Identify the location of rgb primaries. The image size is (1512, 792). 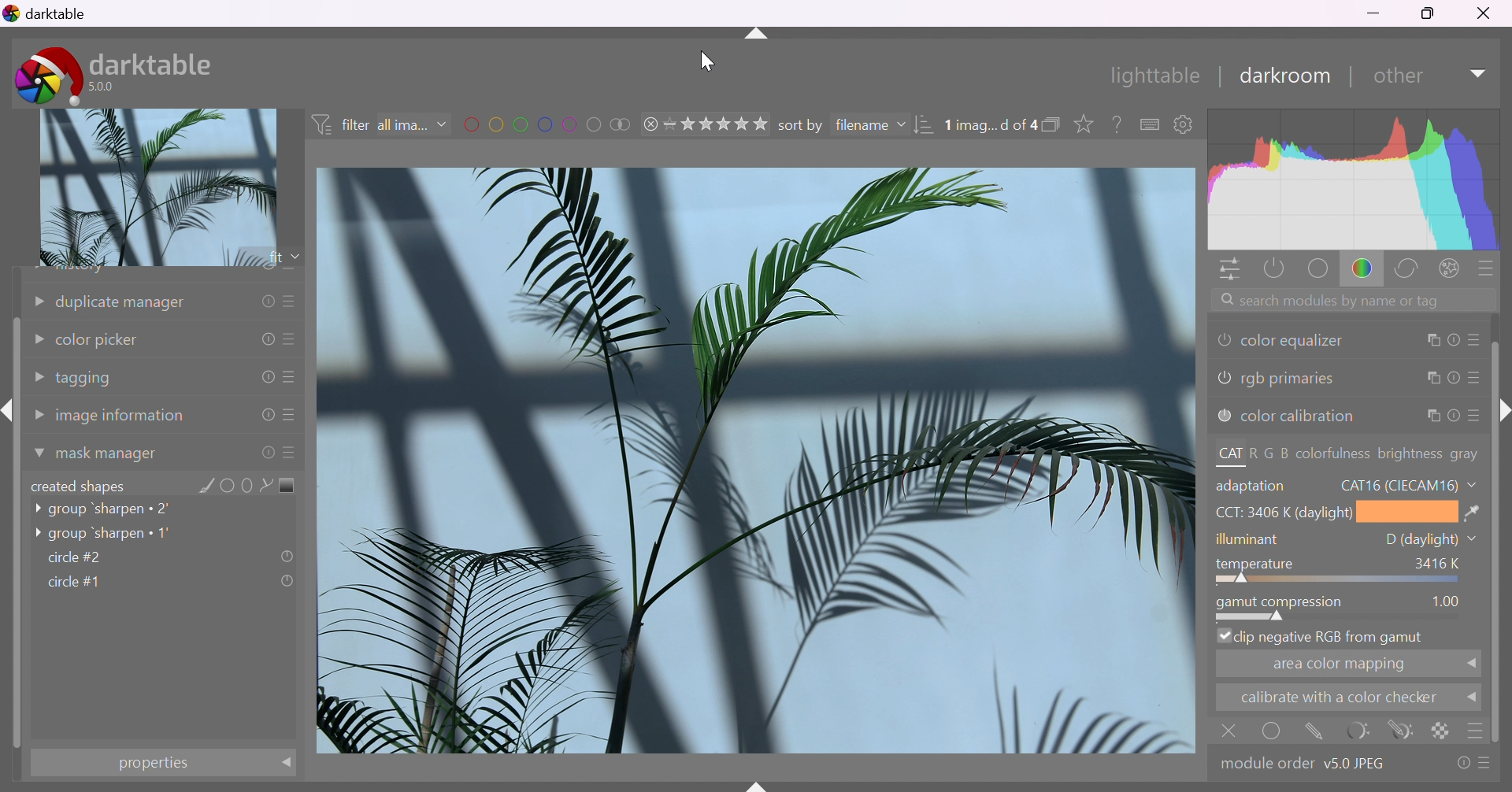
(1346, 377).